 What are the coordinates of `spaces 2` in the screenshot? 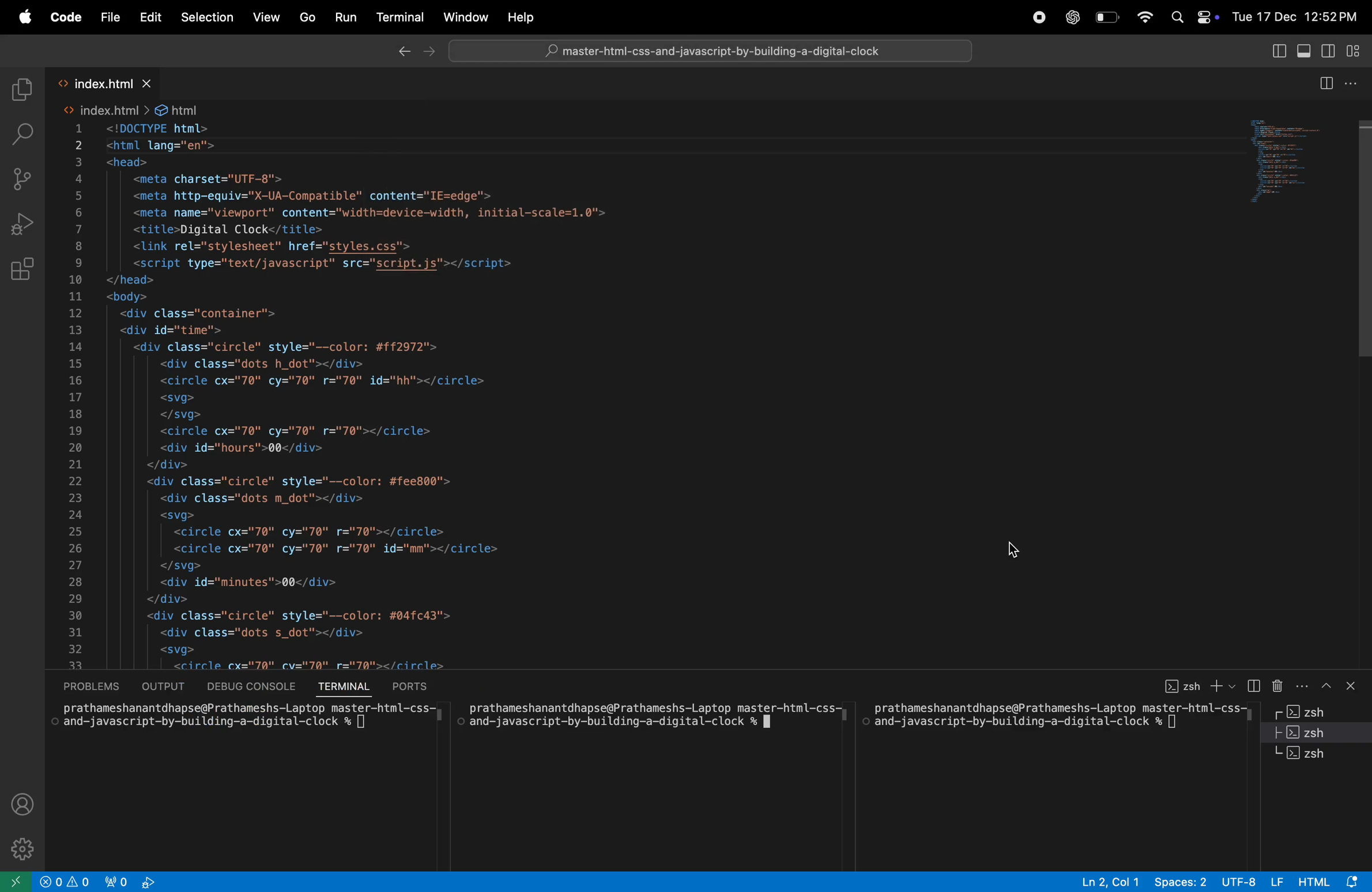 It's located at (1180, 881).